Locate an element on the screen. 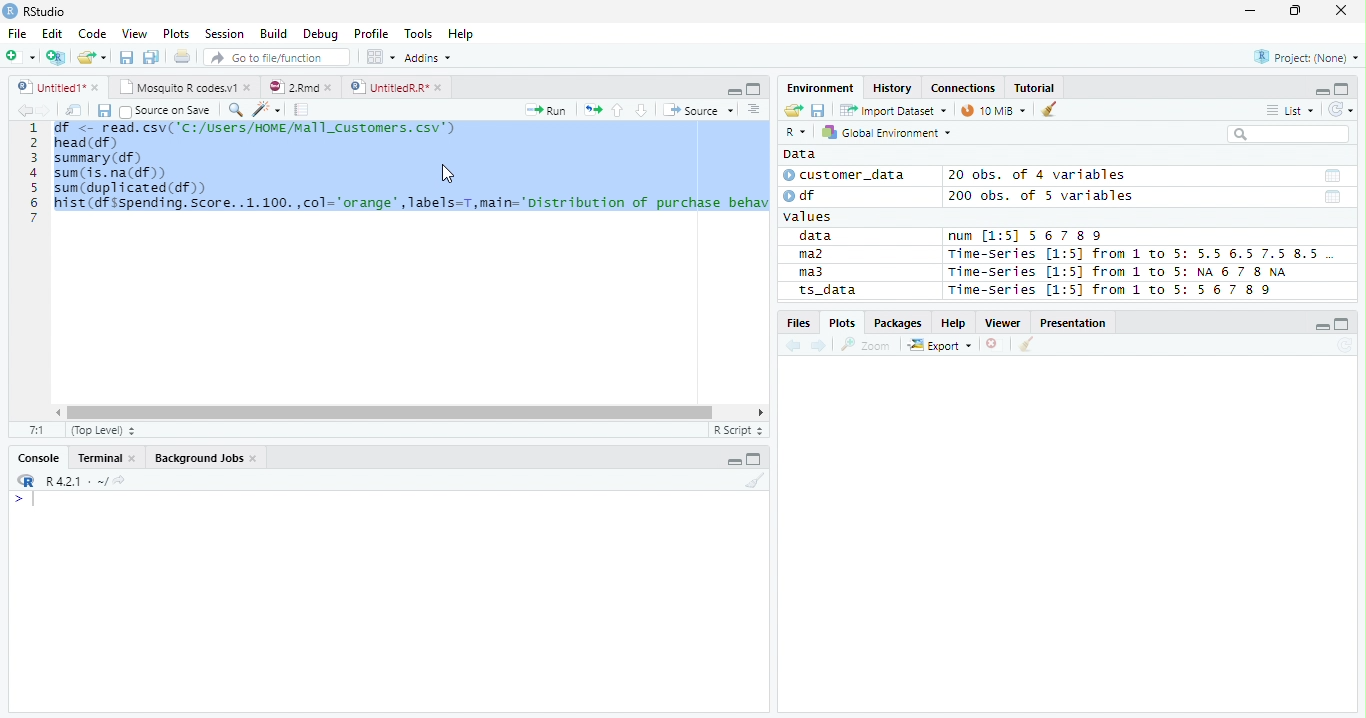 This screenshot has width=1366, height=718. ma3 is located at coordinates (816, 272).